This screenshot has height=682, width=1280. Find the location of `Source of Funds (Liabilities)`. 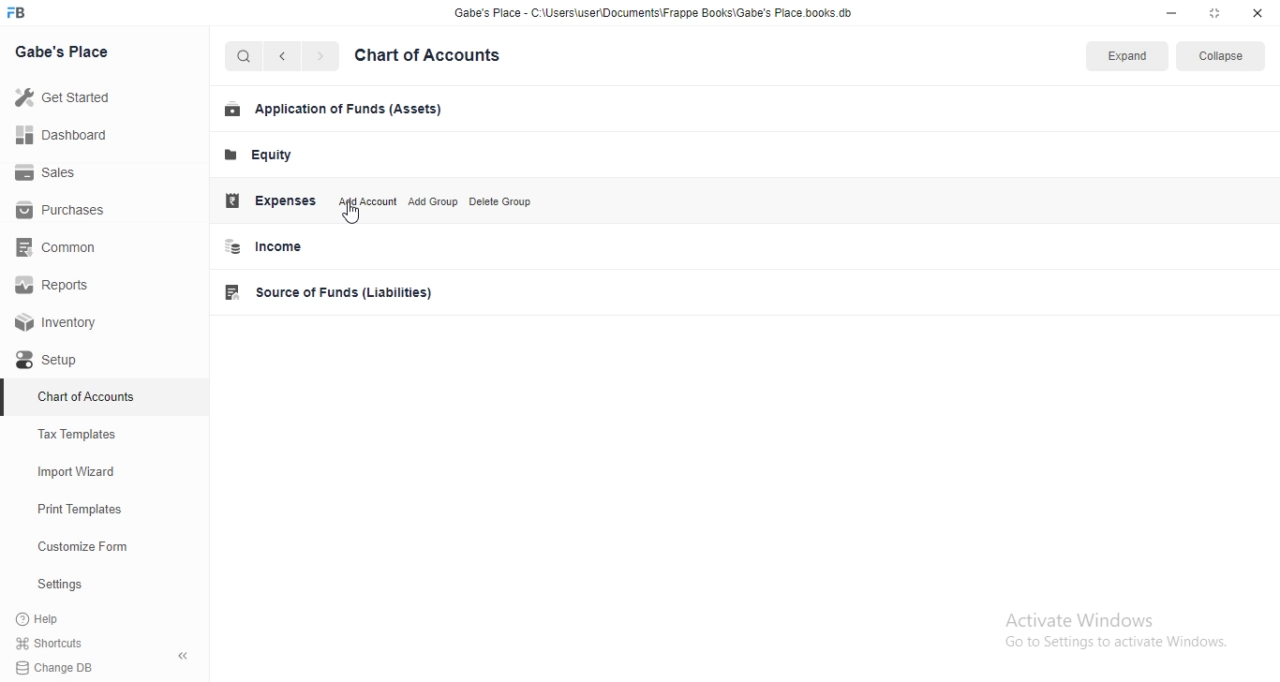

Source of Funds (Liabilities) is located at coordinates (336, 292).